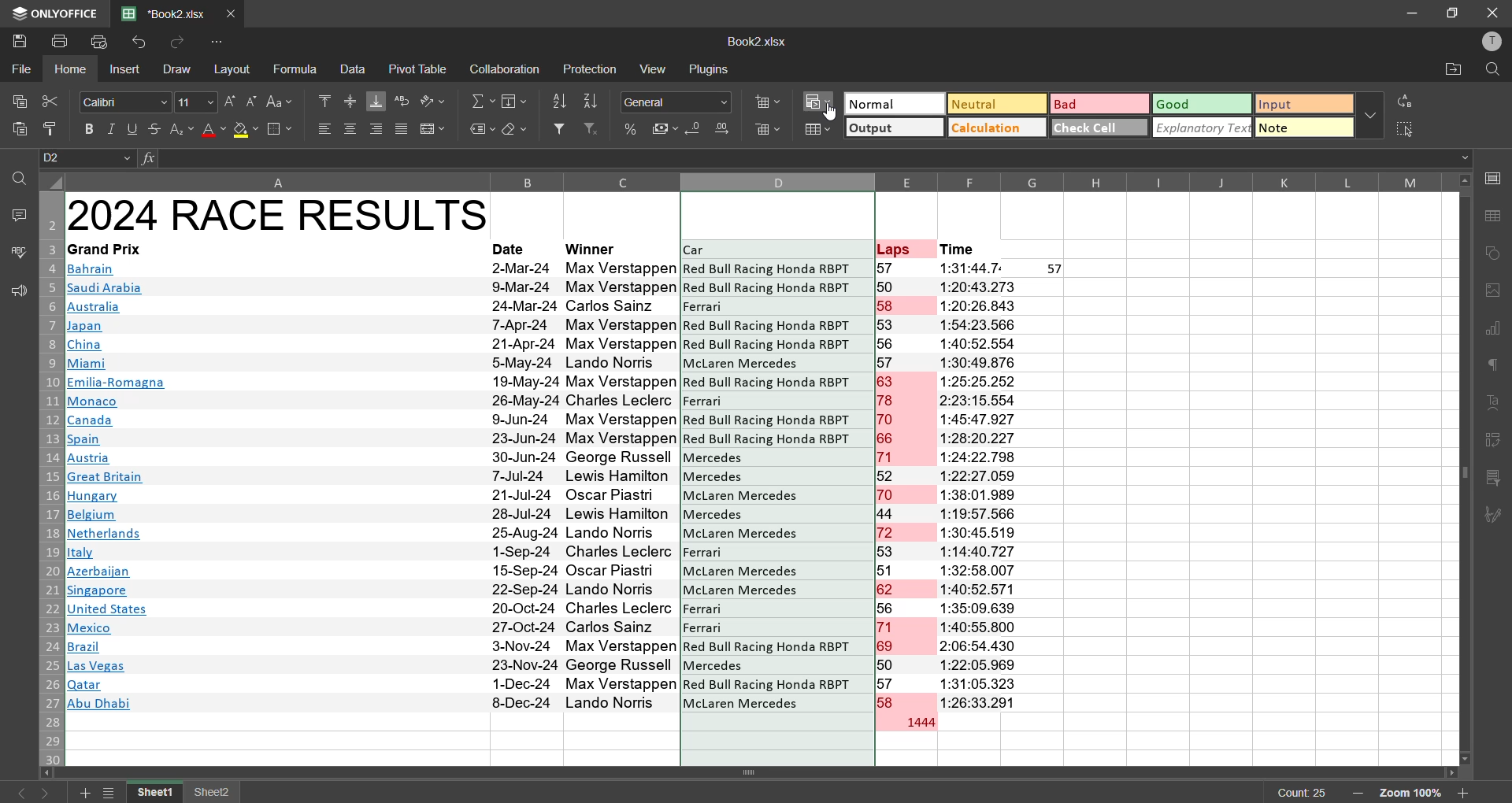  Describe the element at coordinates (50, 793) in the screenshot. I see `next` at that location.